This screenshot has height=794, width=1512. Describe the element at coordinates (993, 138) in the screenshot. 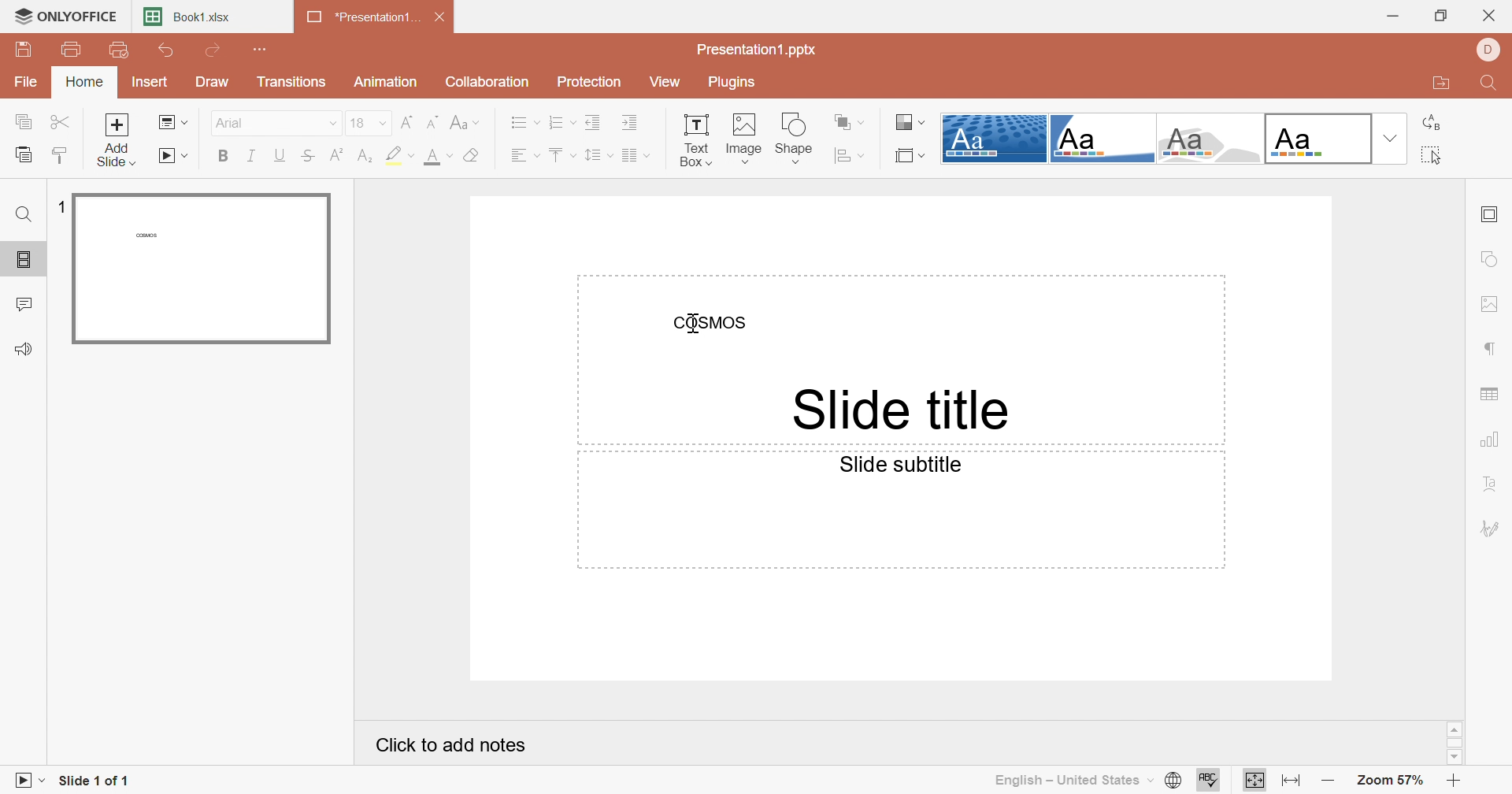

I see `Dotted` at that location.